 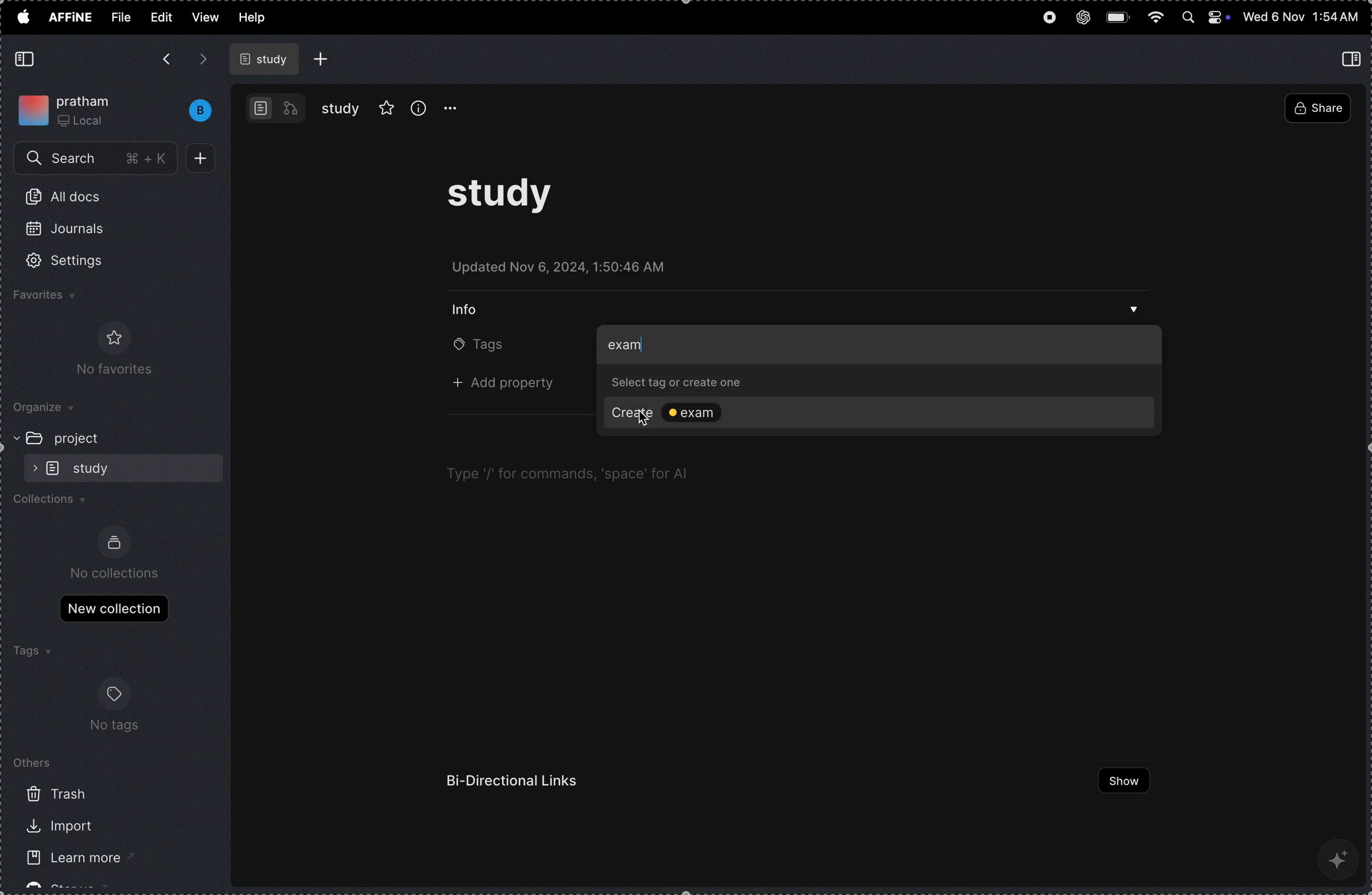 What do you see at coordinates (114, 543) in the screenshot?
I see `collection logo` at bounding box center [114, 543].